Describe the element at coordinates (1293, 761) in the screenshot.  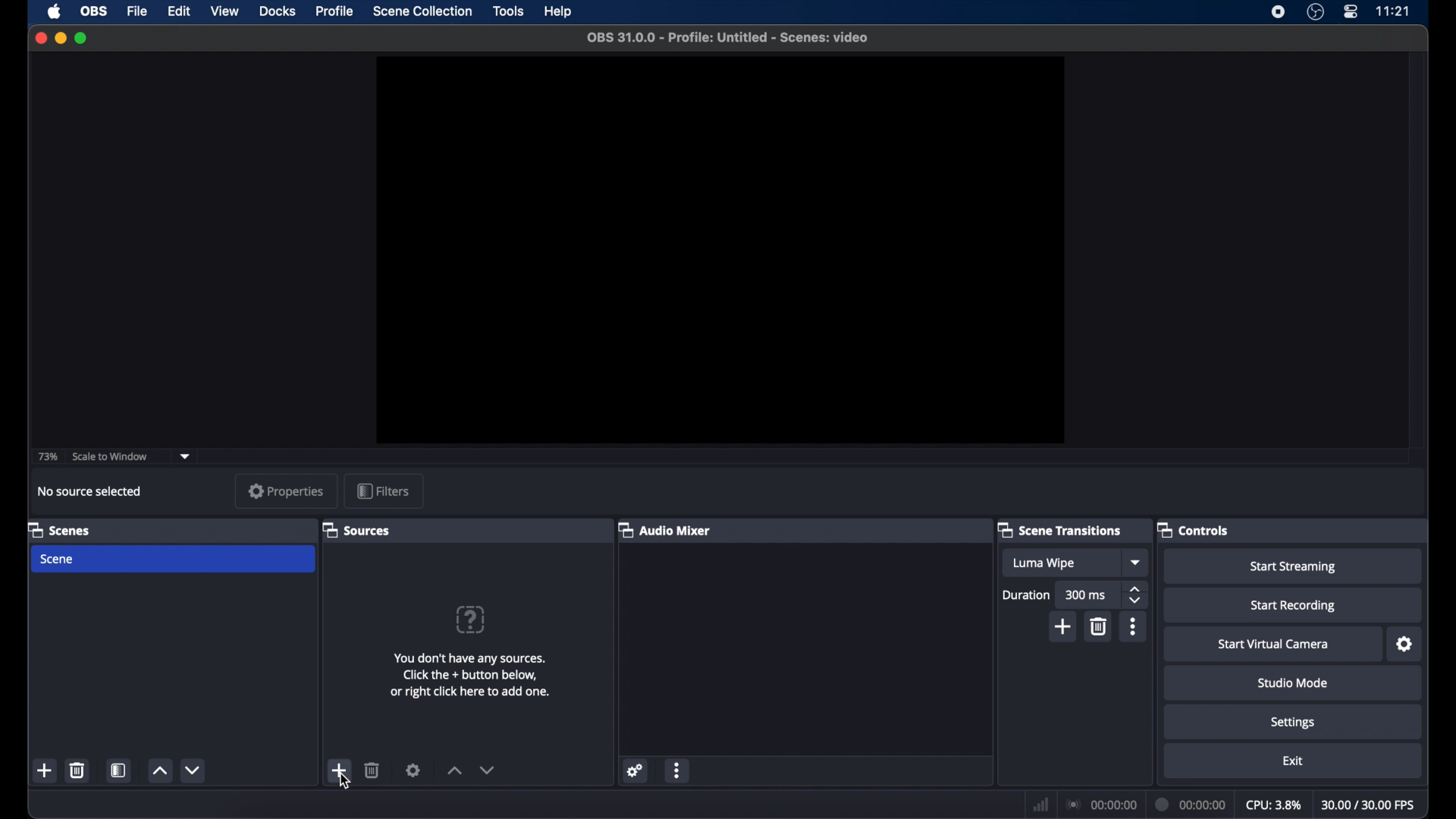
I see `exit` at that location.